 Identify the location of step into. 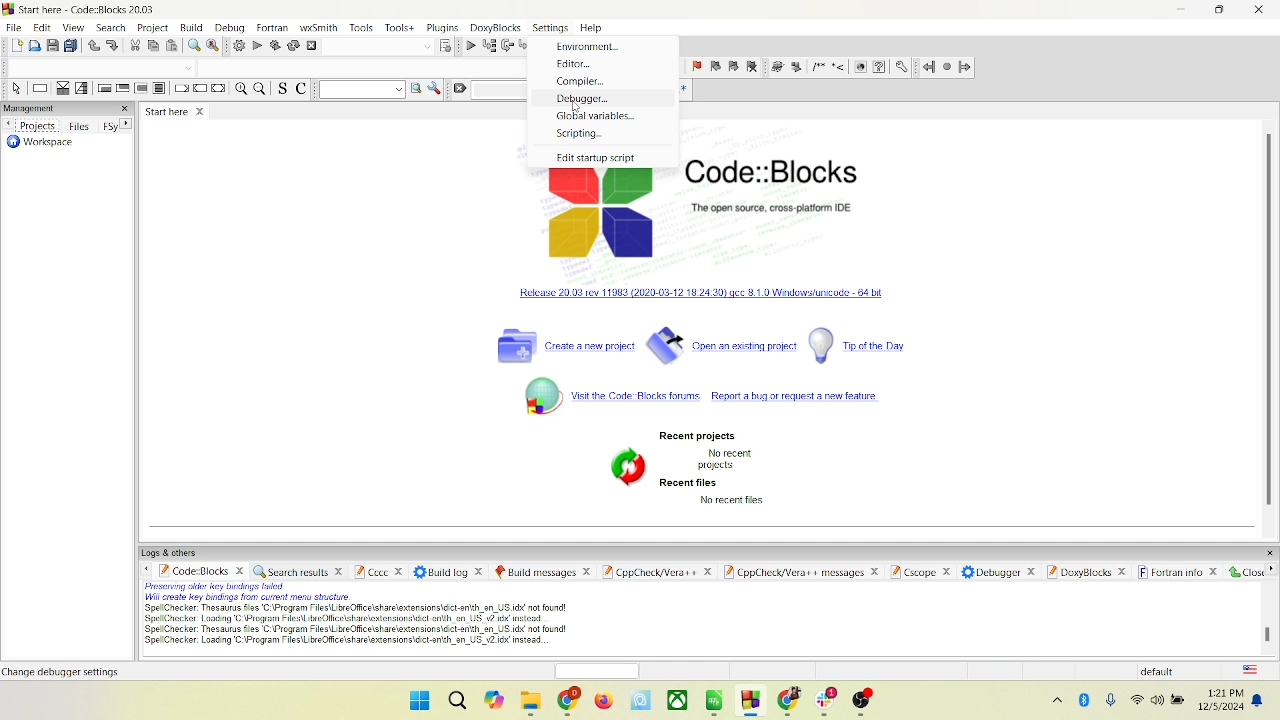
(526, 46).